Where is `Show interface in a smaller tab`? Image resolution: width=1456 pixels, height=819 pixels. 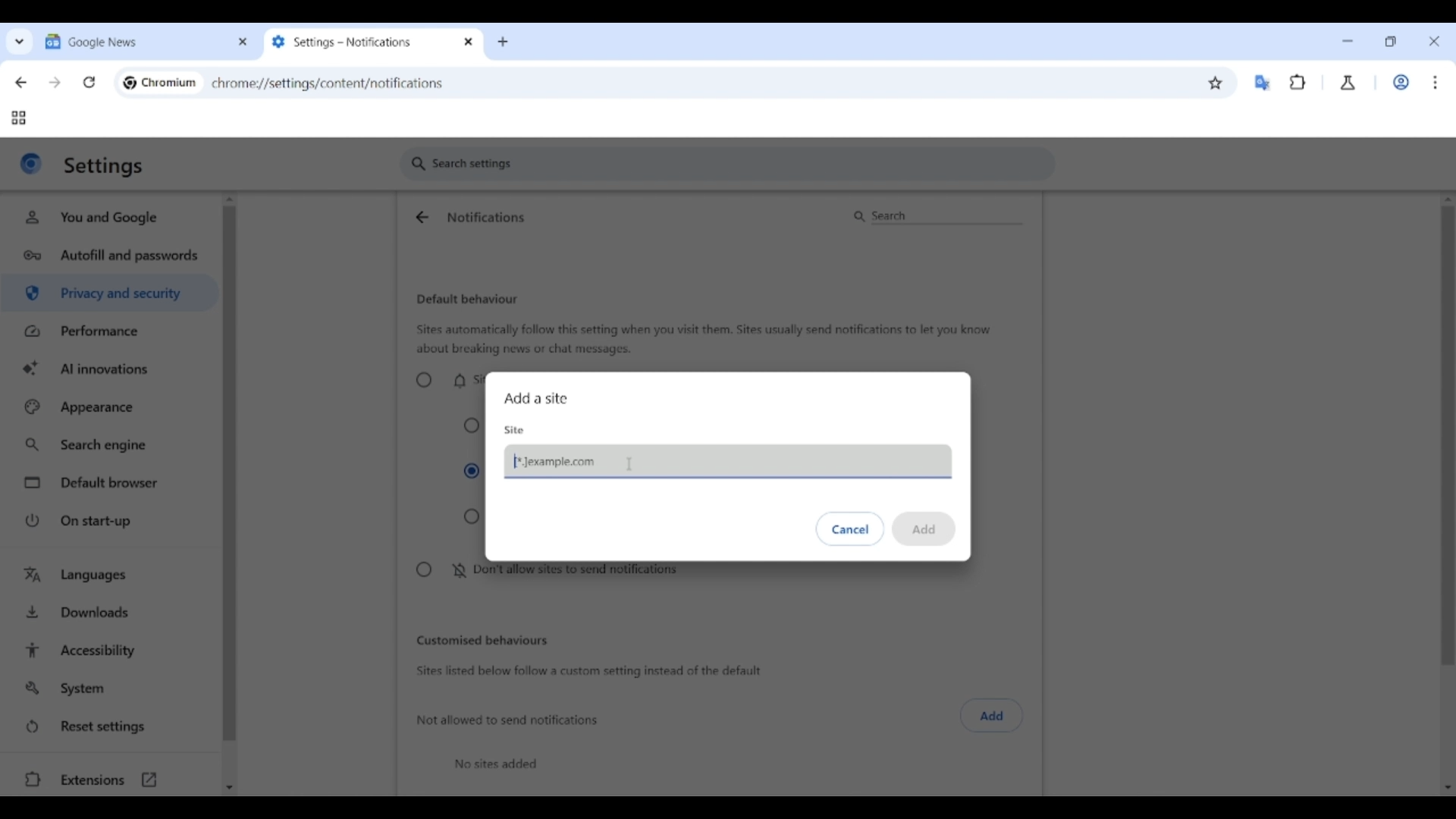 Show interface in a smaller tab is located at coordinates (1390, 42).